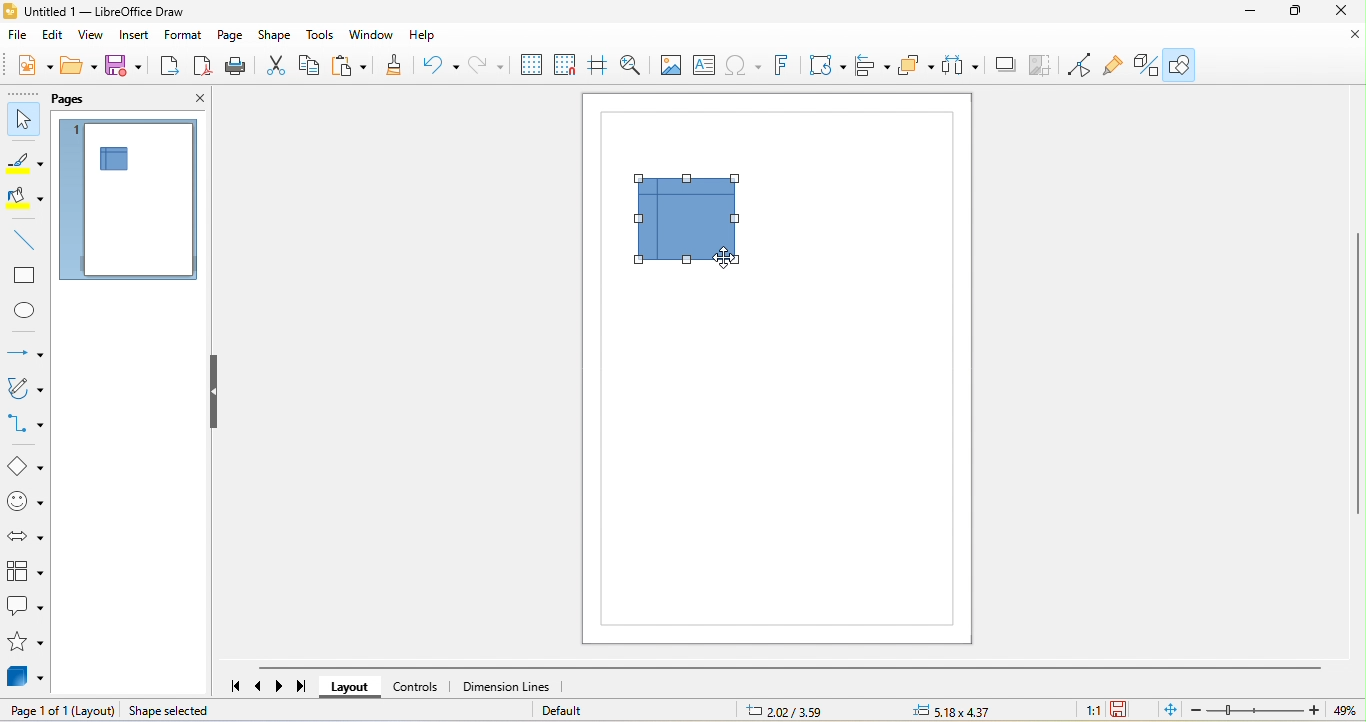 Image resolution: width=1366 pixels, height=722 pixels. Describe the element at coordinates (92, 36) in the screenshot. I see `view` at that location.